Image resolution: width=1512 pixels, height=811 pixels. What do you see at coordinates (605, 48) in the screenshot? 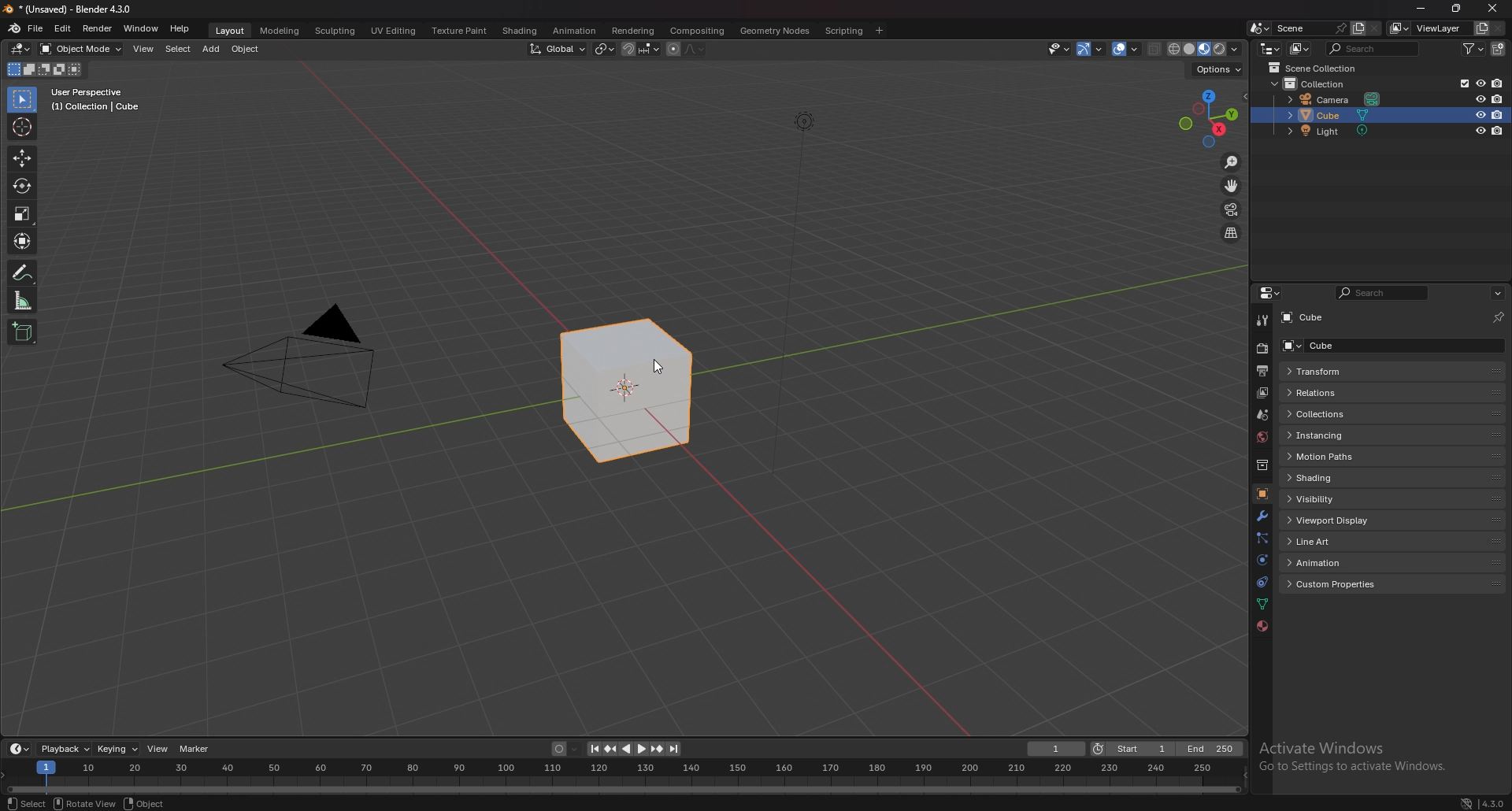
I see `median point` at bounding box center [605, 48].